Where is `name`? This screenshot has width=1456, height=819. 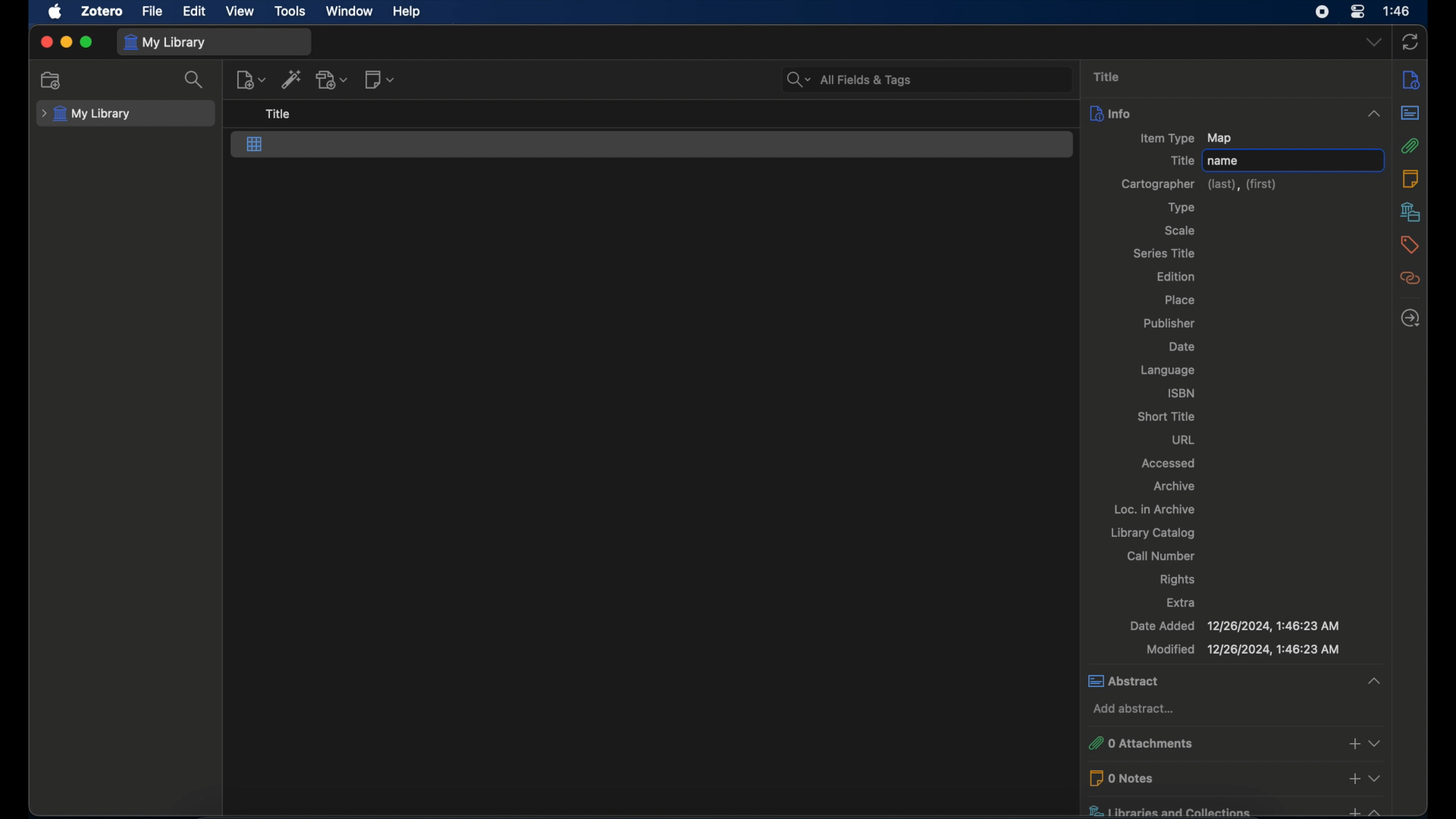
name is located at coordinates (1295, 160).